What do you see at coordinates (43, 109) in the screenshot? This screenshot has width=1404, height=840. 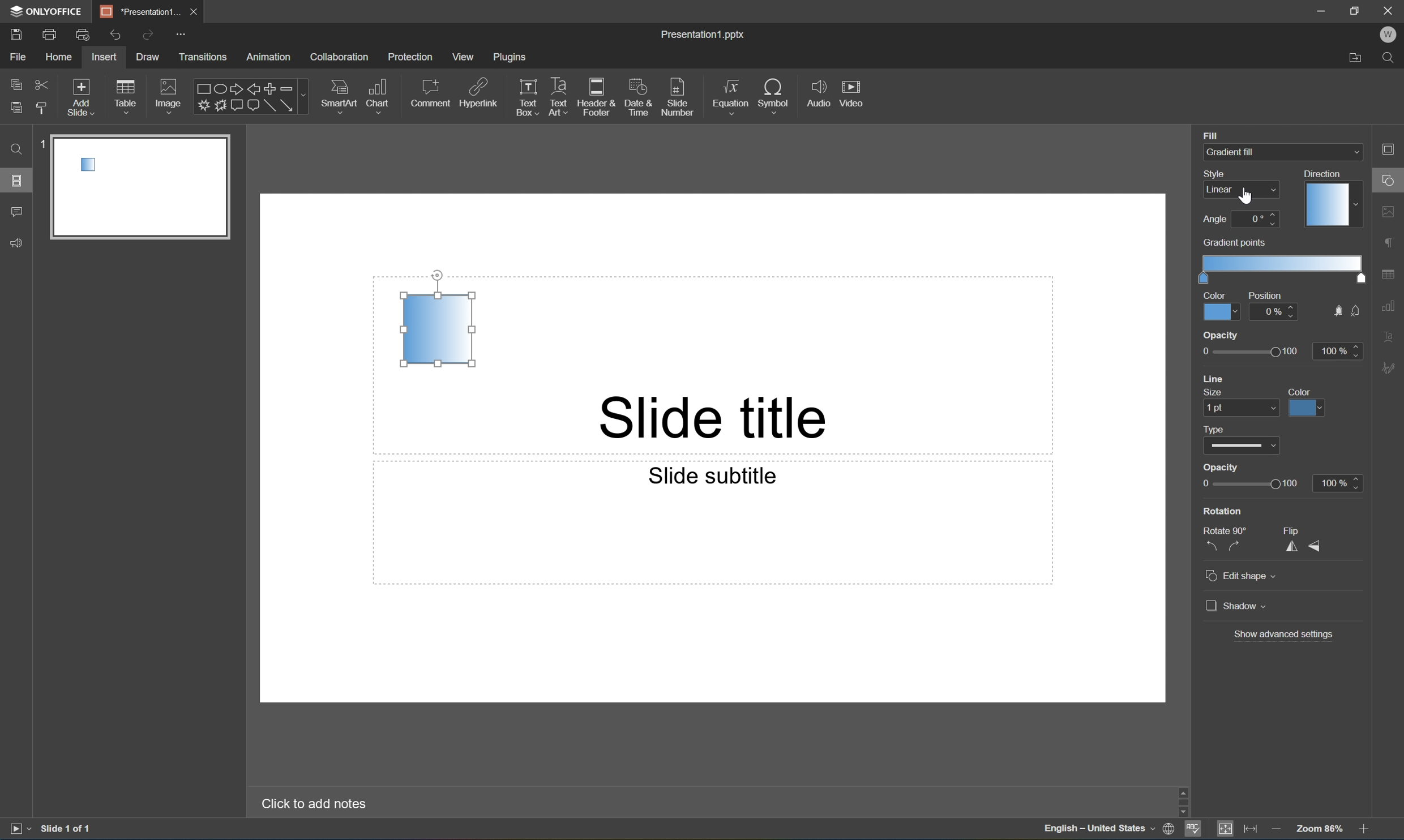 I see `Copy style` at bounding box center [43, 109].